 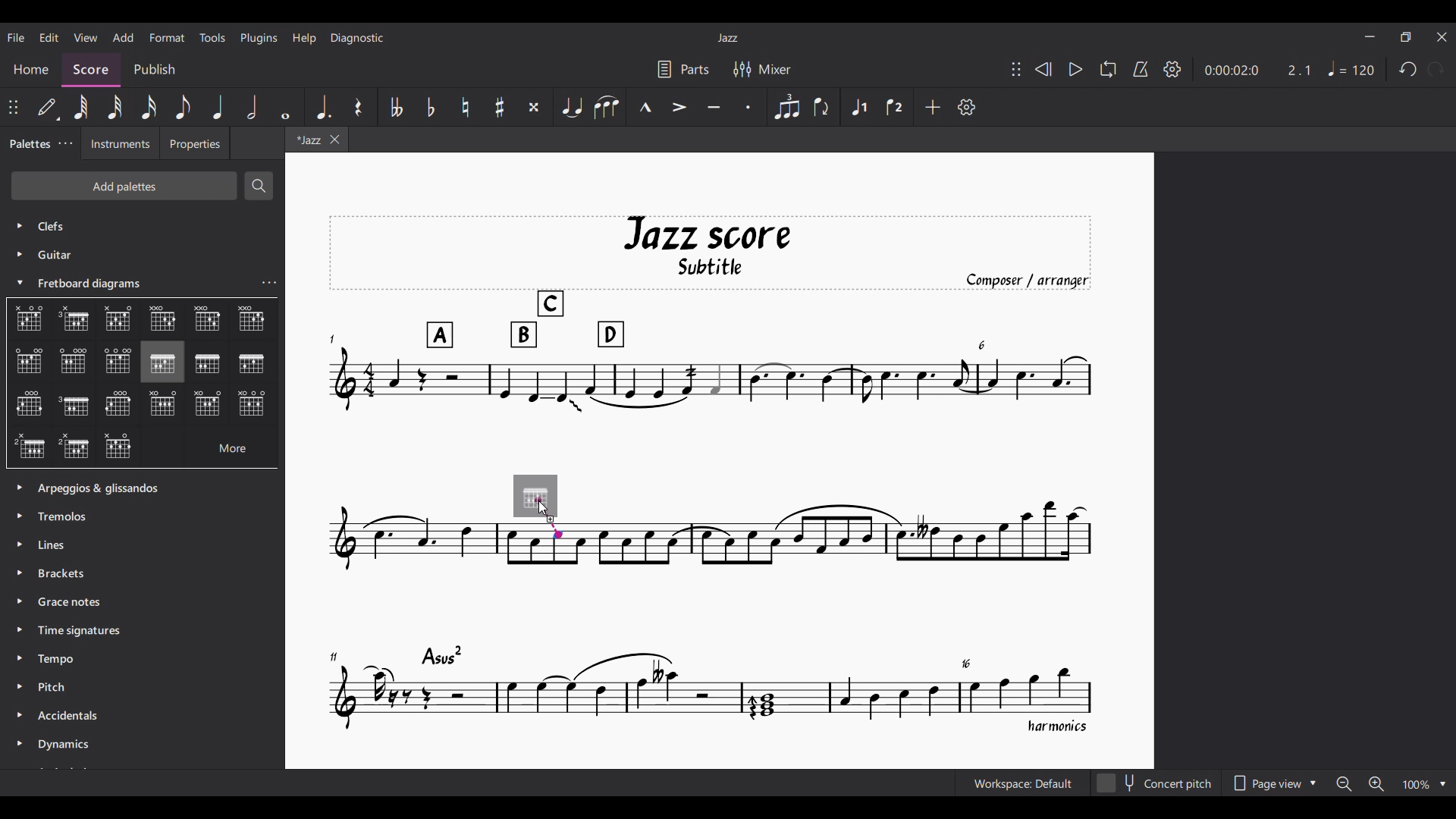 What do you see at coordinates (89, 67) in the screenshot?
I see `Score, current section highlighted` at bounding box center [89, 67].